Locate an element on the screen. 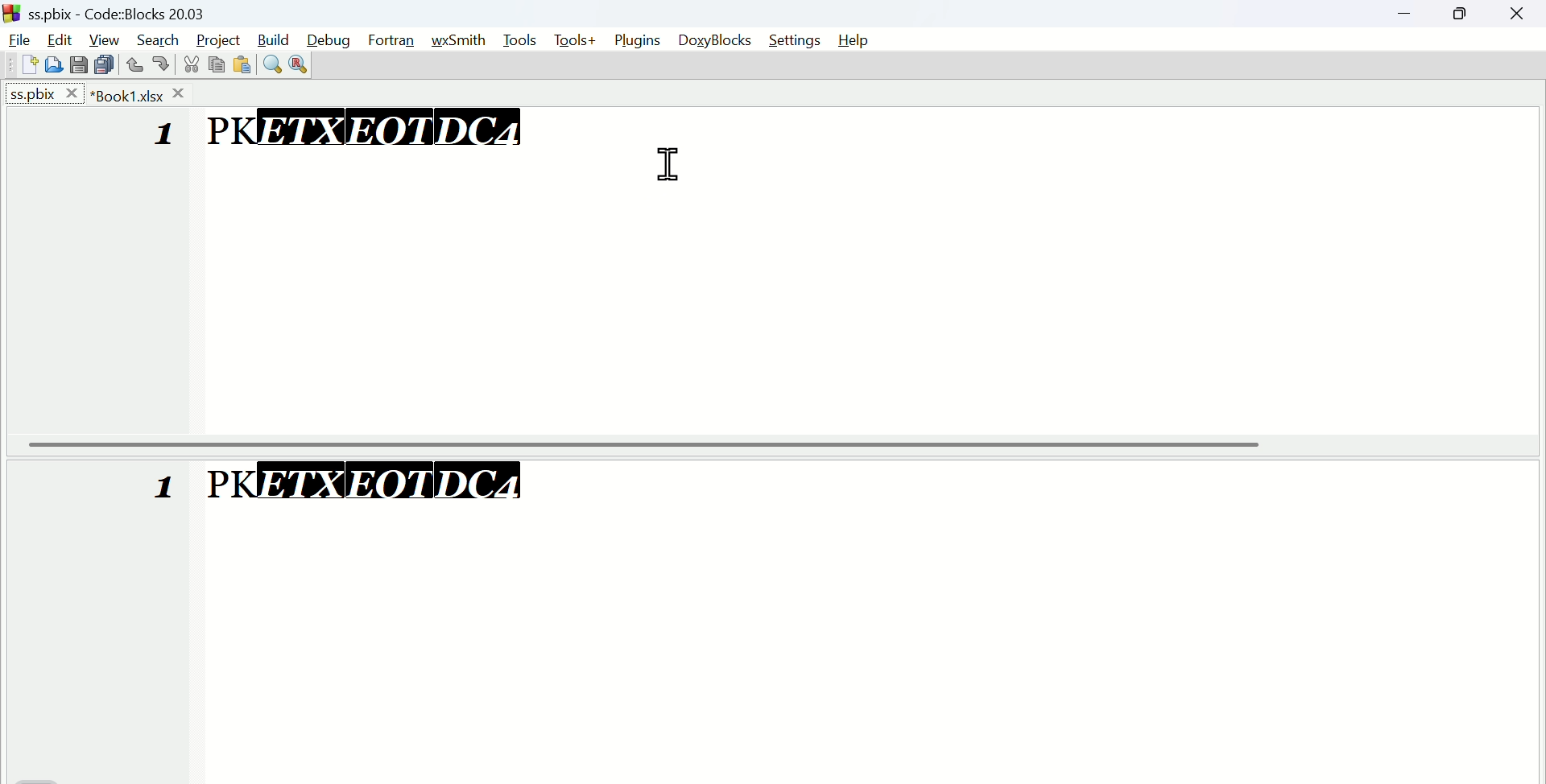  Cut is located at coordinates (188, 64).